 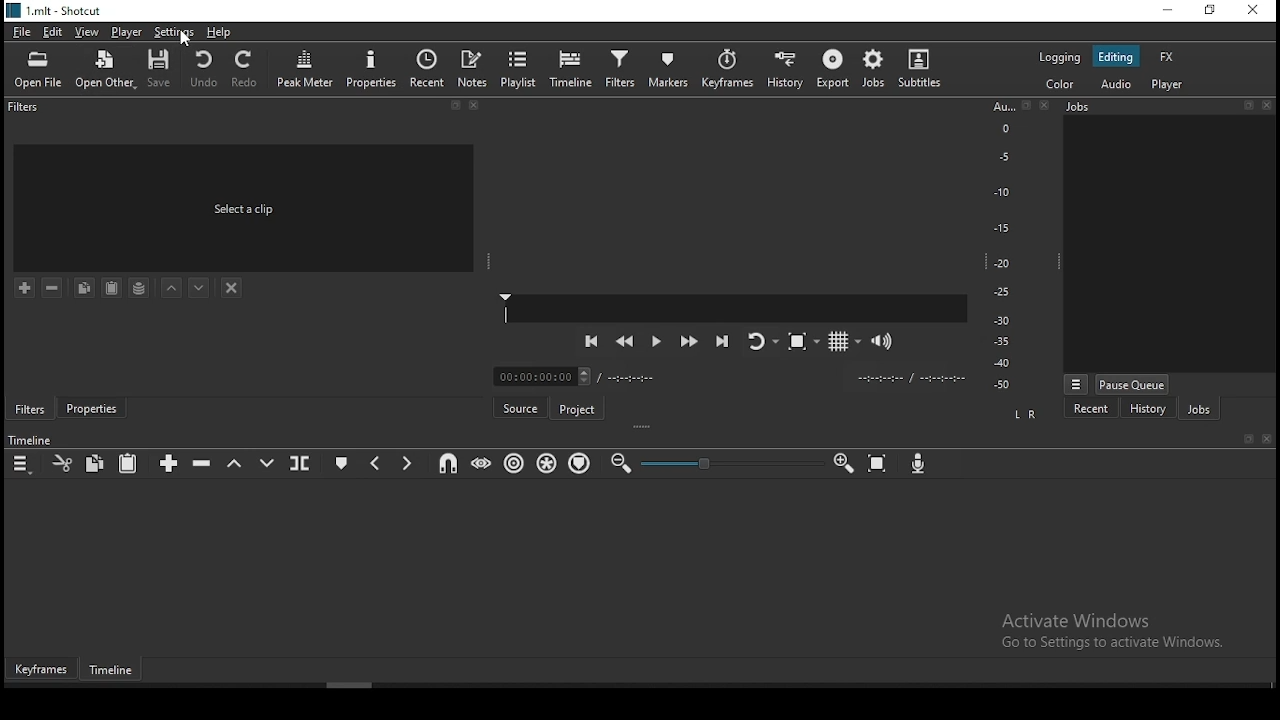 I want to click on history, so click(x=786, y=67).